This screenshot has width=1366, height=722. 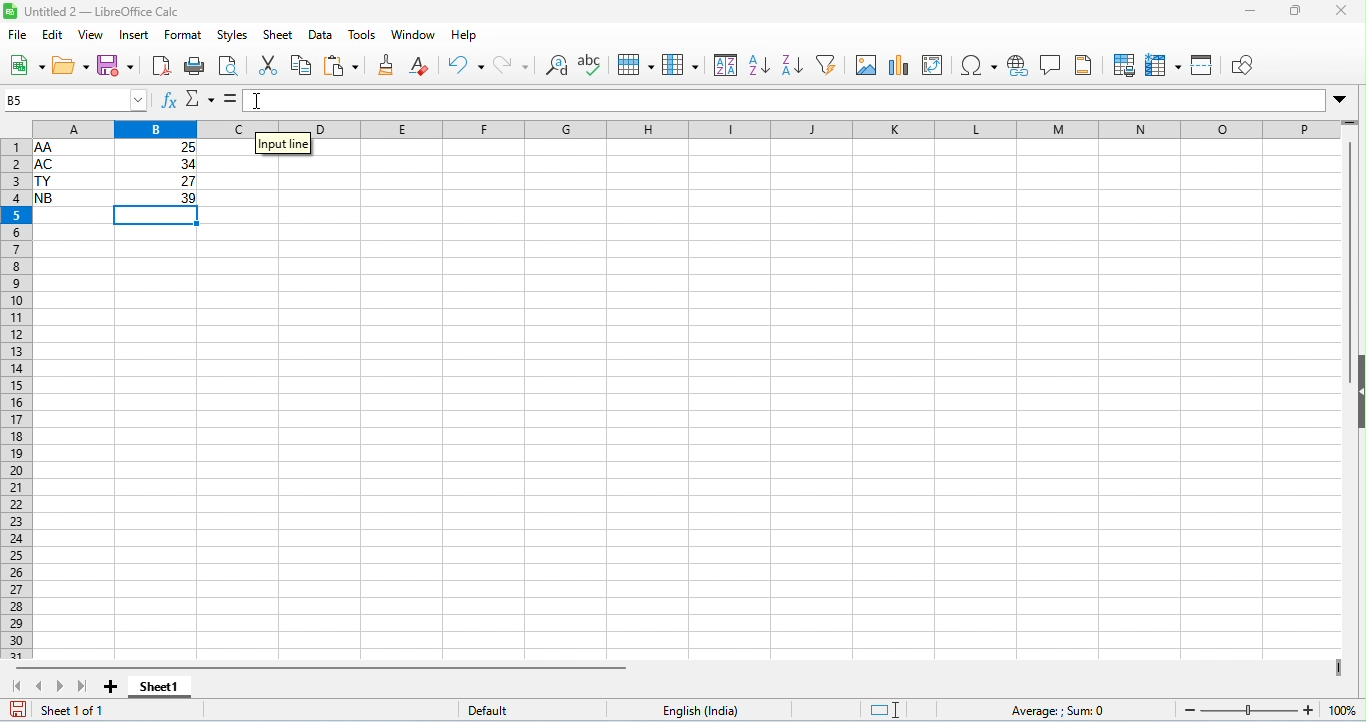 What do you see at coordinates (416, 35) in the screenshot?
I see `window` at bounding box center [416, 35].